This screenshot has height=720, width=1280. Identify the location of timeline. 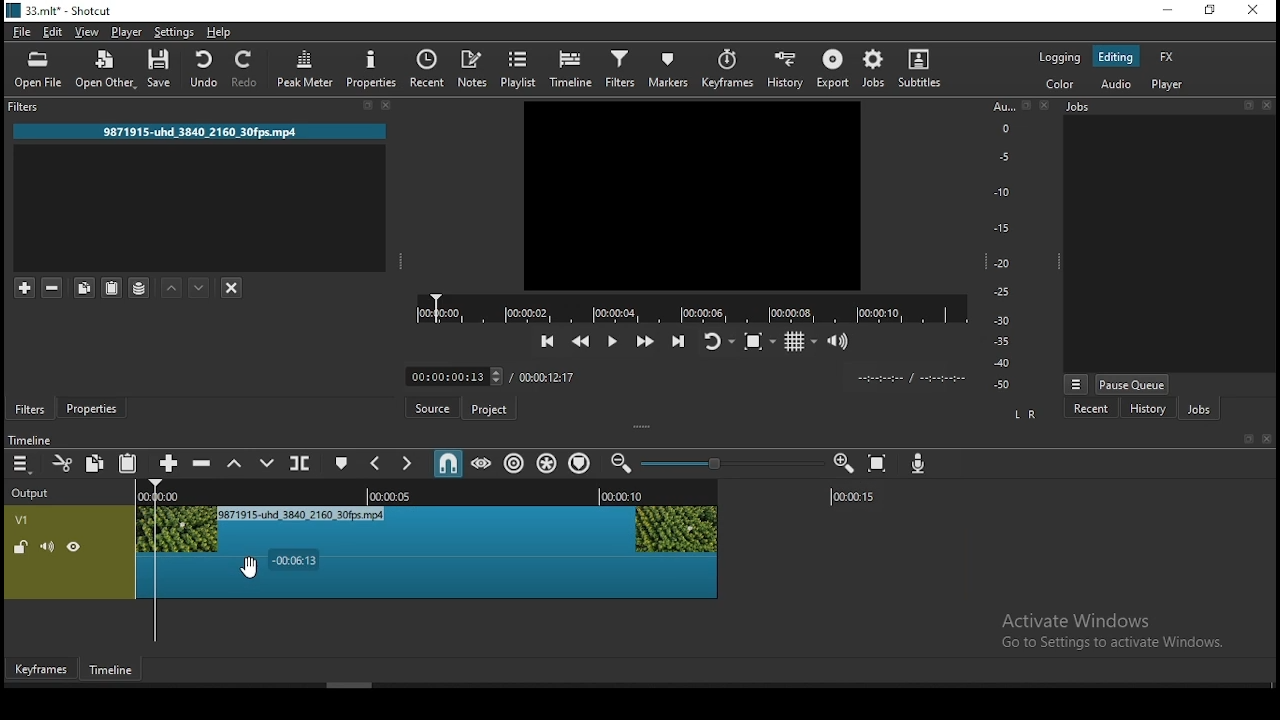
(571, 67).